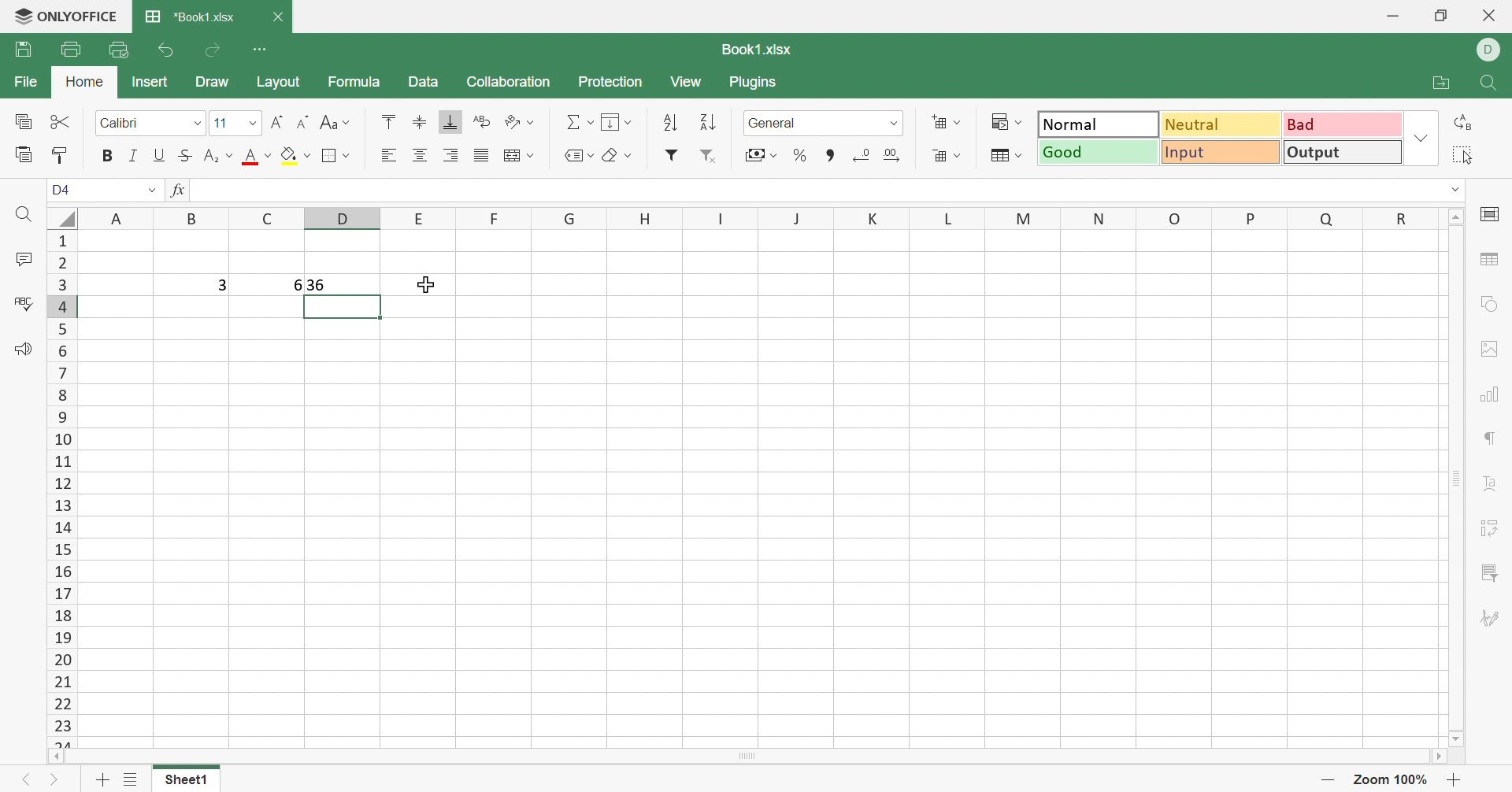 The image size is (1512, 792). I want to click on Insert cells, so click(949, 121).